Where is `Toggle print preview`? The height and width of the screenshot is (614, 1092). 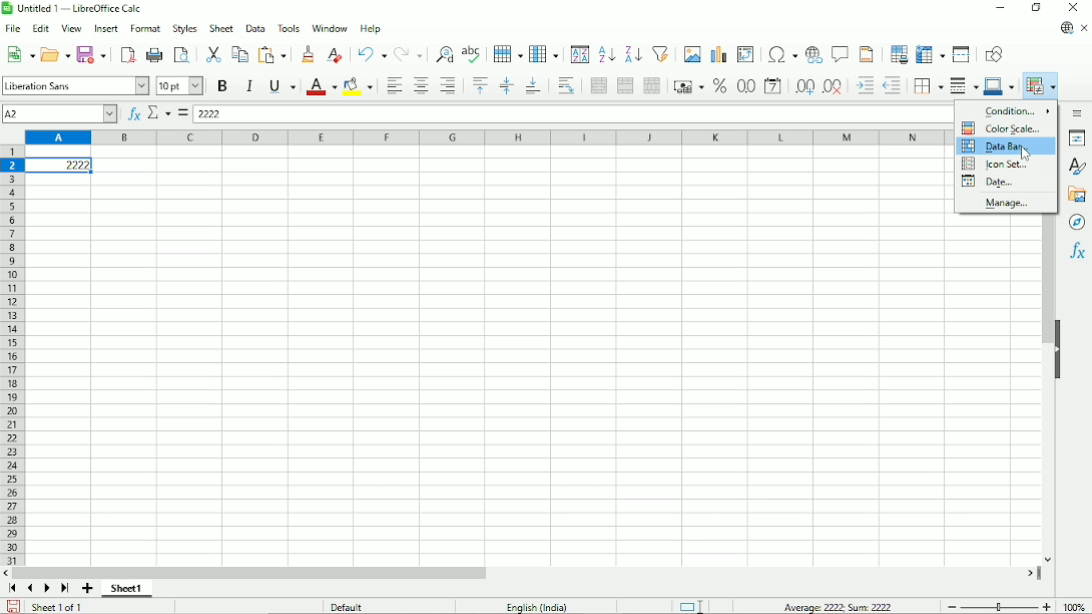
Toggle print preview is located at coordinates (182, 54).